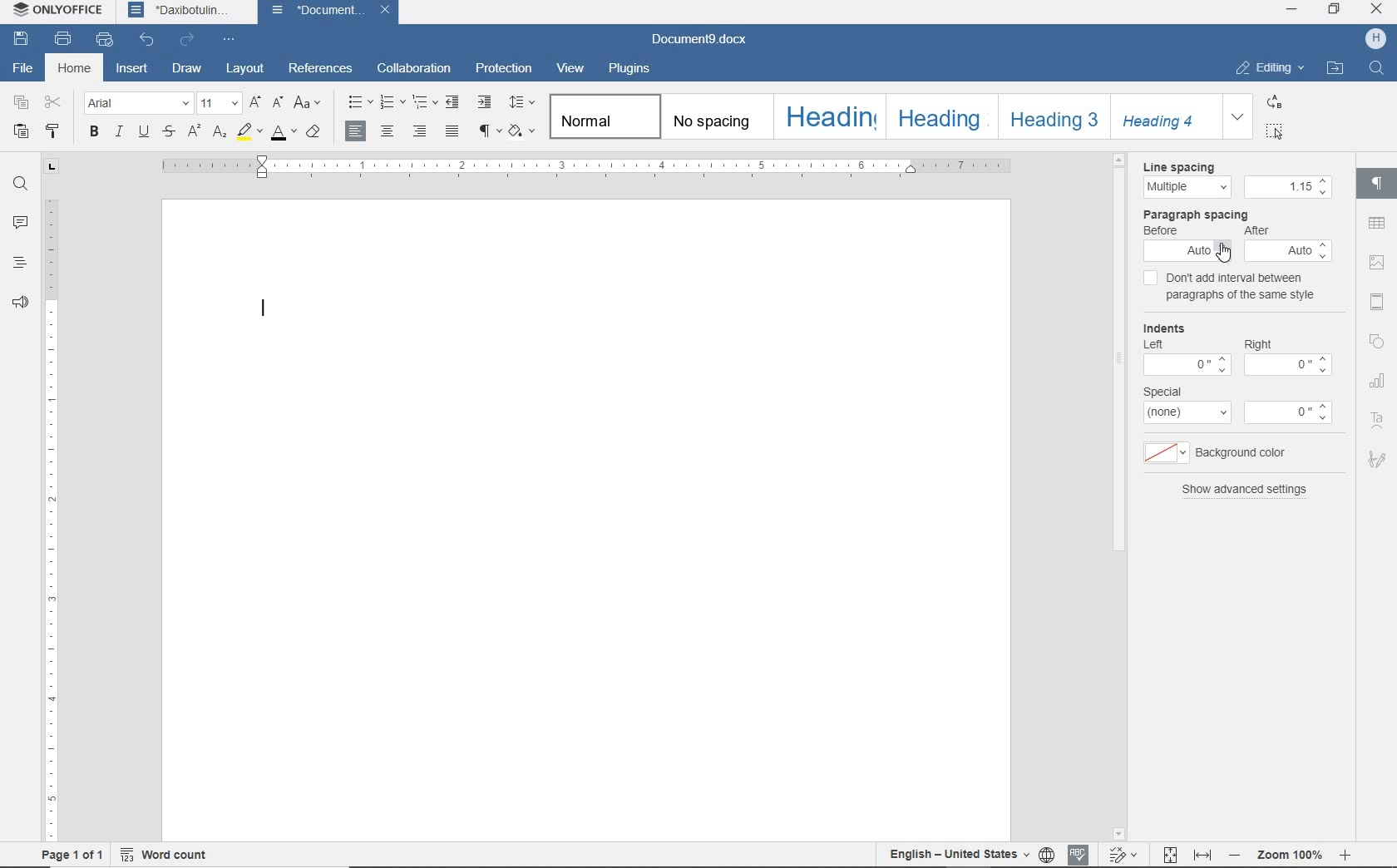  Describe the element at coordinates (73, 67) in the screenshot. I see `home` at that location.